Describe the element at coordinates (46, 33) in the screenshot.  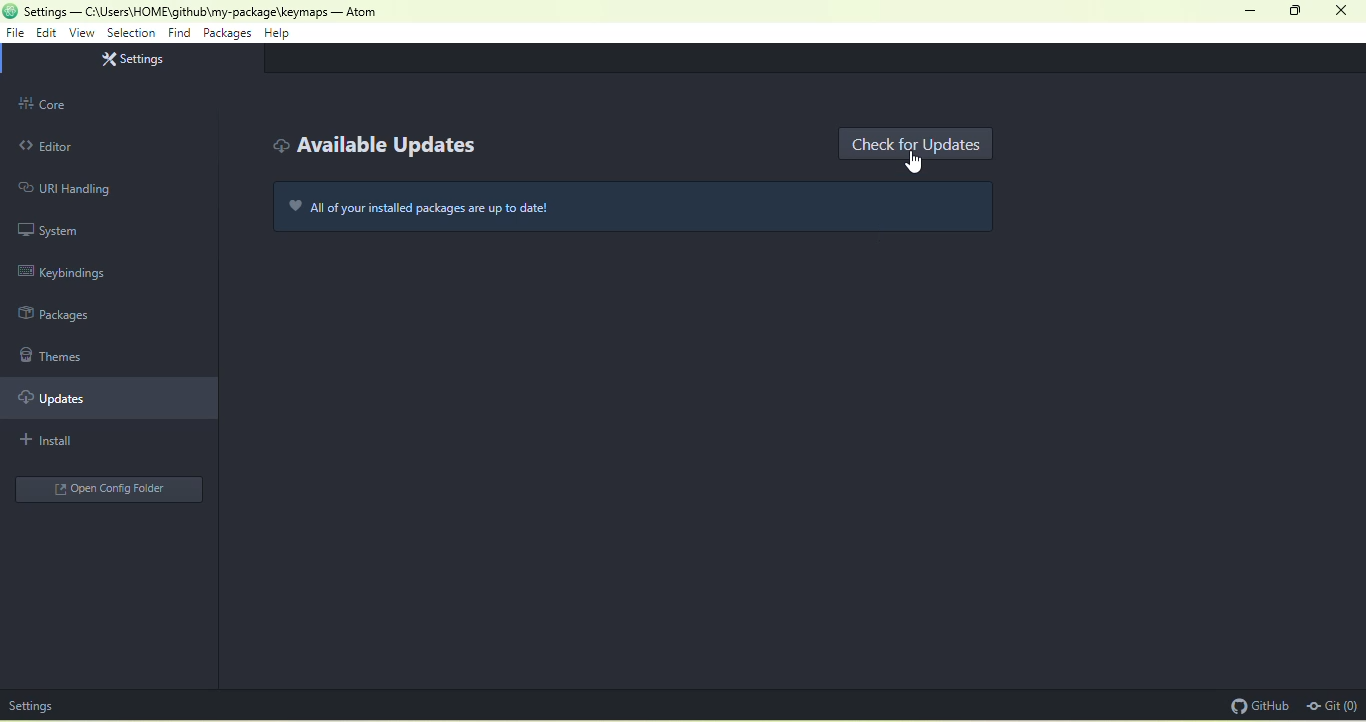
I see `edit` at that location.